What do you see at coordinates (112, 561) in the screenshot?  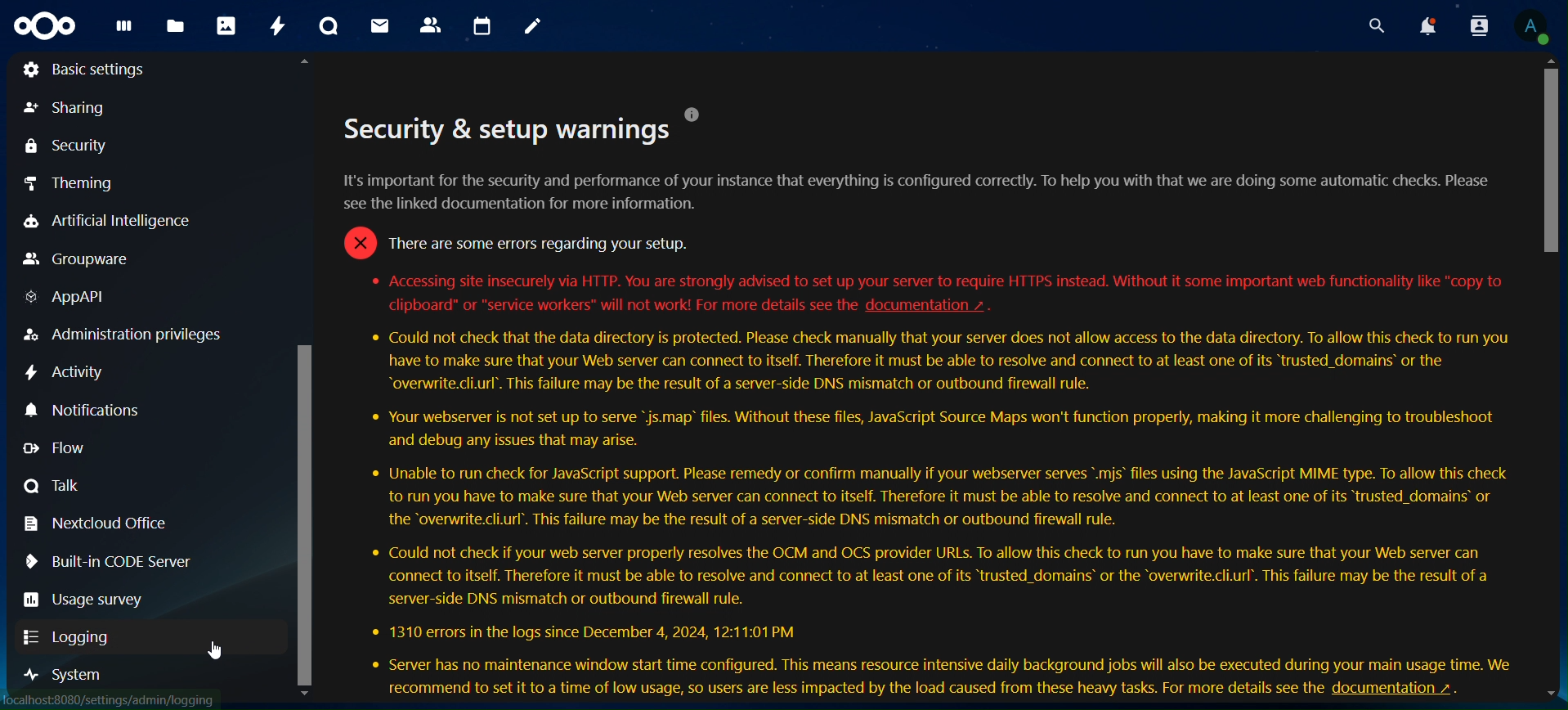 I see `built in CODE server` at bounding box center [112, 561].